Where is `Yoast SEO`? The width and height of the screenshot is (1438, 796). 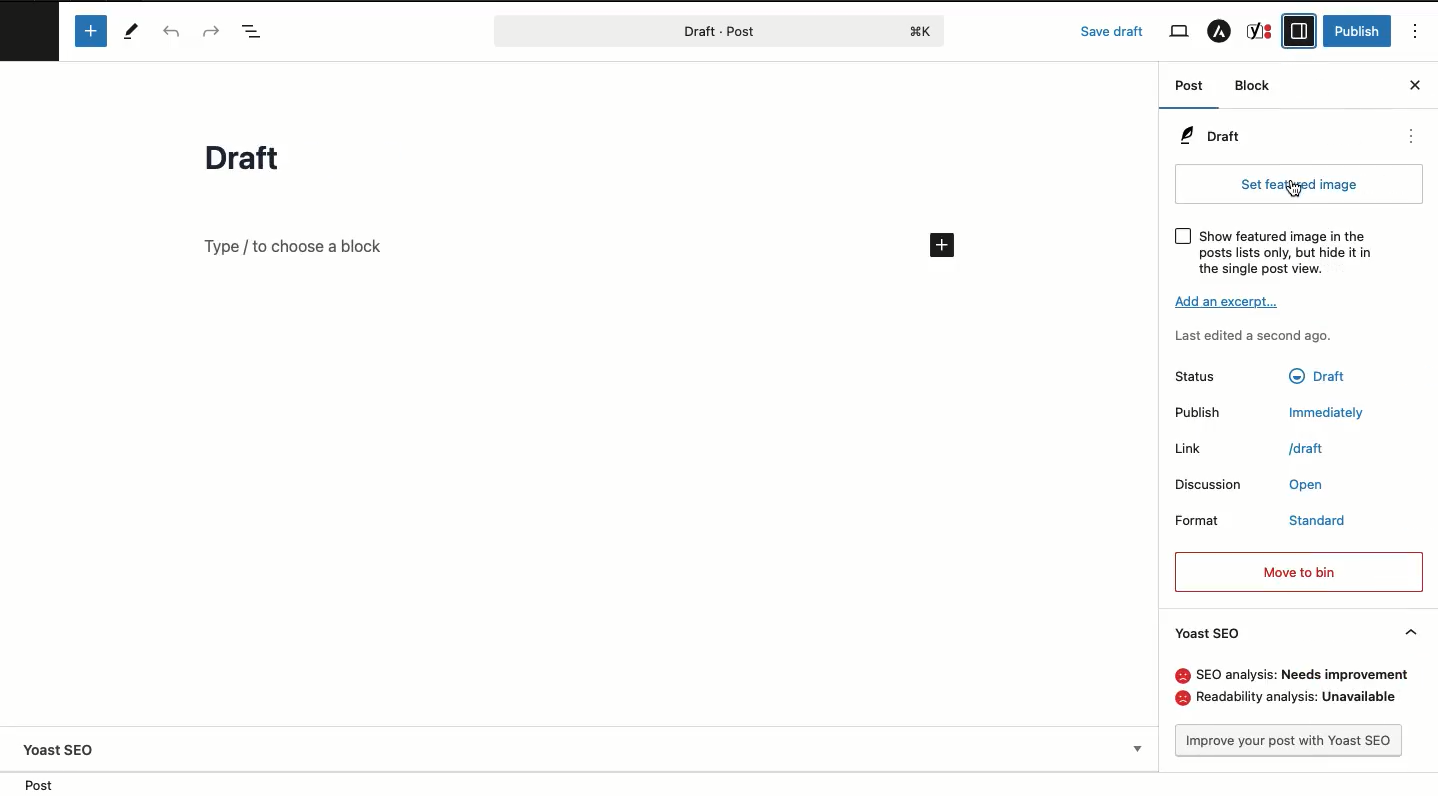 Yoast SEO is located at coordinates (1300, 632).